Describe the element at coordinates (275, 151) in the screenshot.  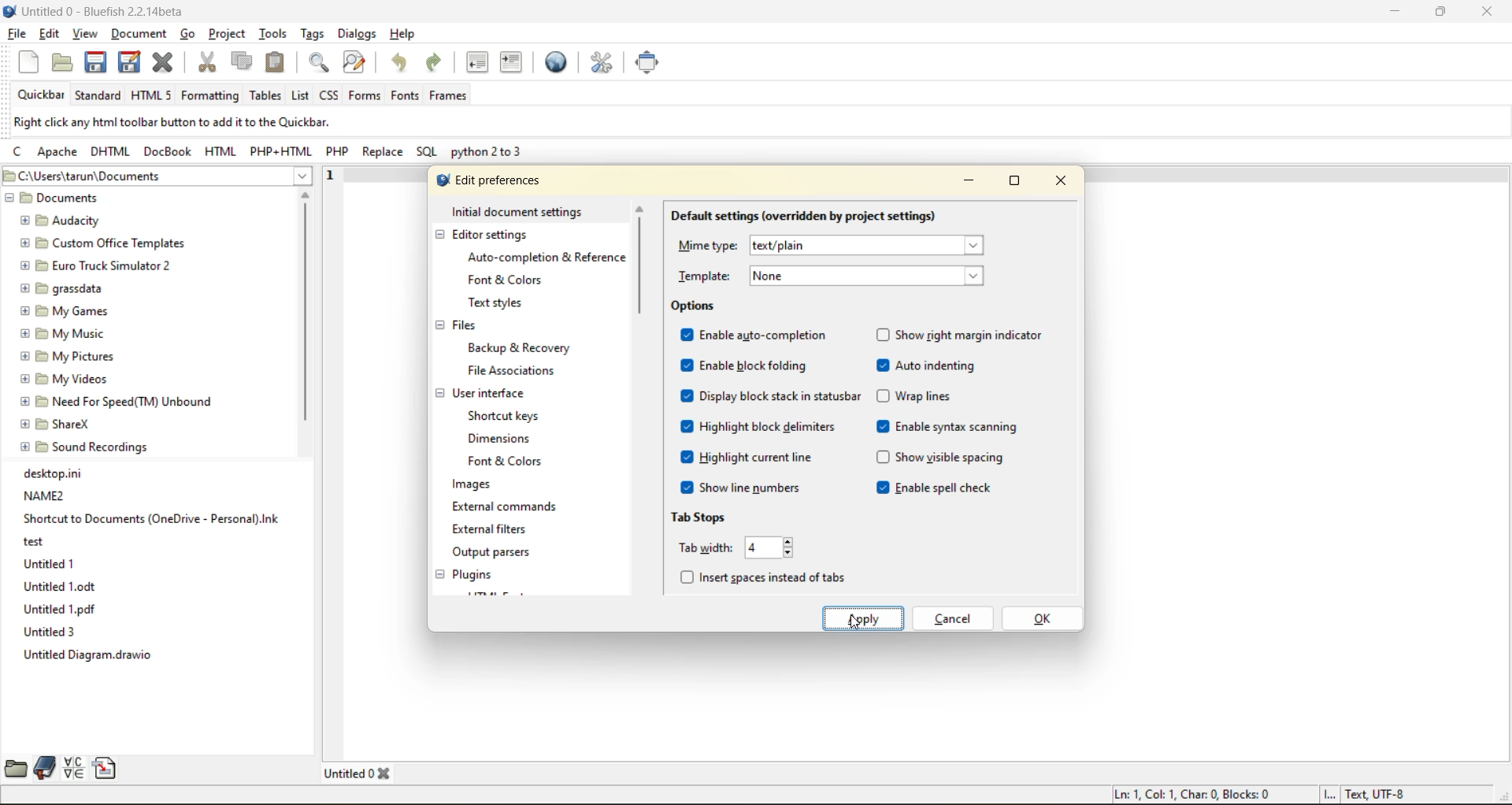
I see `php html` at that location.